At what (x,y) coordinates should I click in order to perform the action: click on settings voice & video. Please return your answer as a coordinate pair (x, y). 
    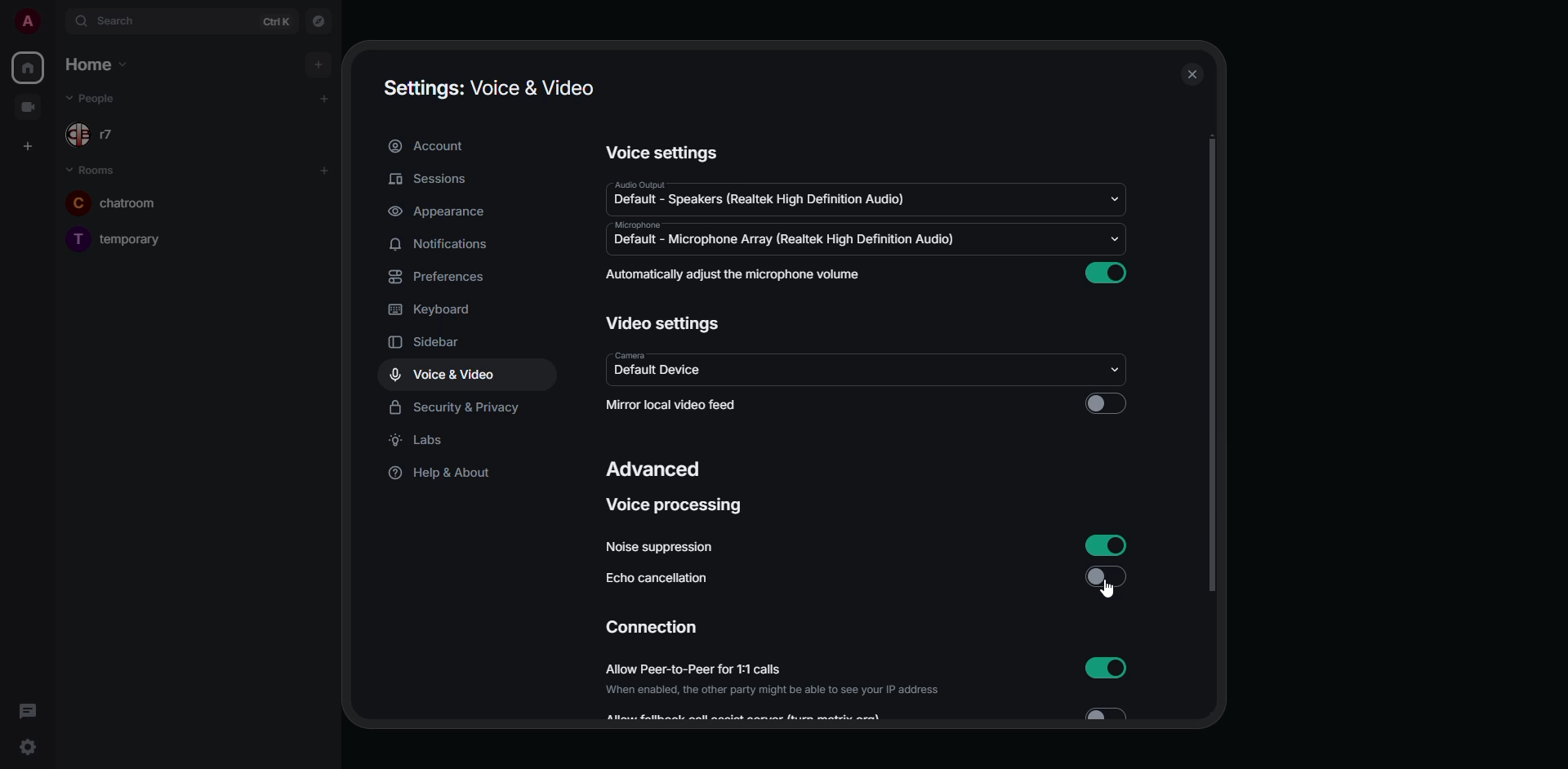
    Looking at the image, I should click on (490, 87).